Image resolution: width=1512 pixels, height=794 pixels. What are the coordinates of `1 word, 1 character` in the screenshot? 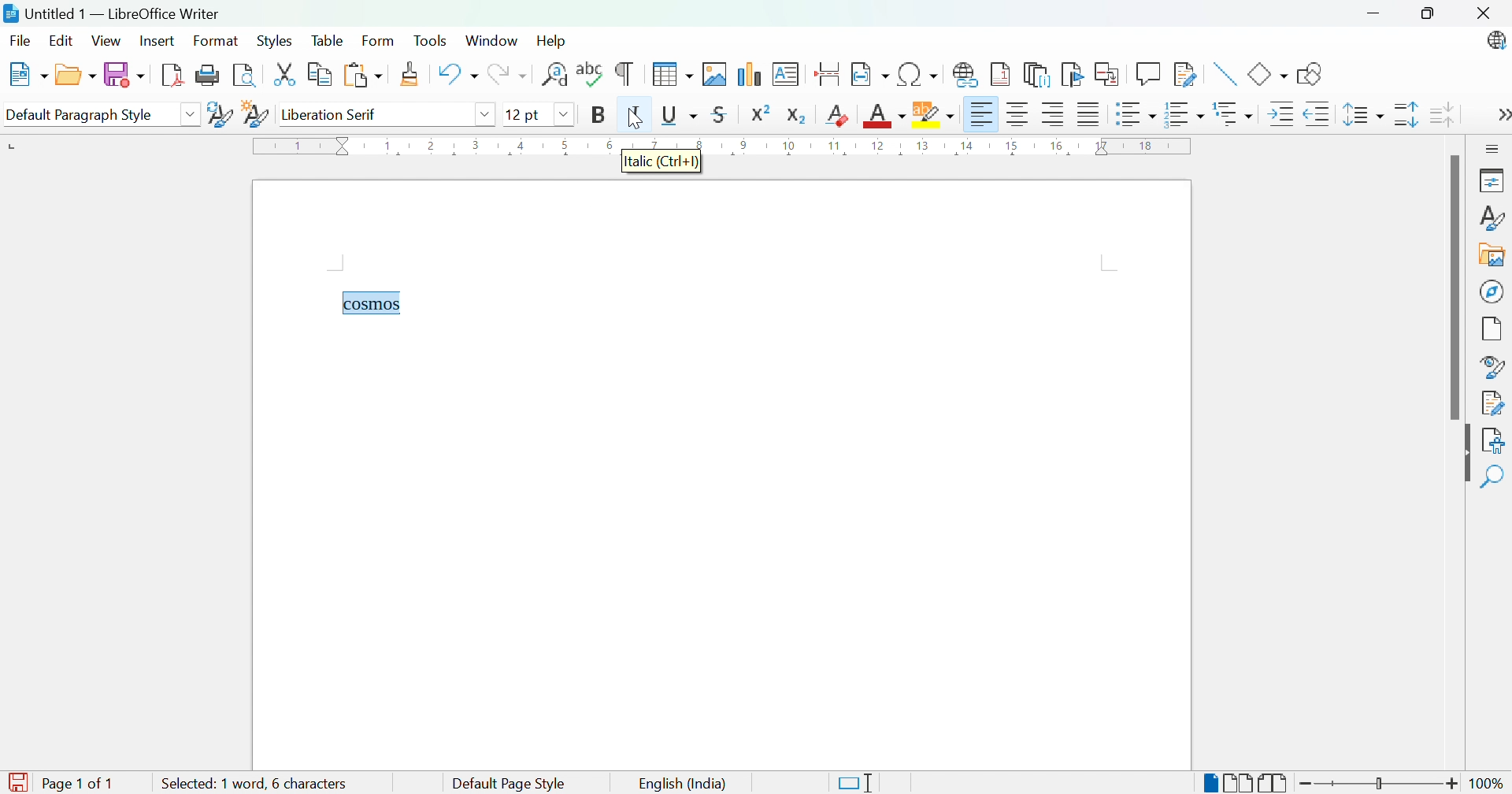 It's located at (284, 782).